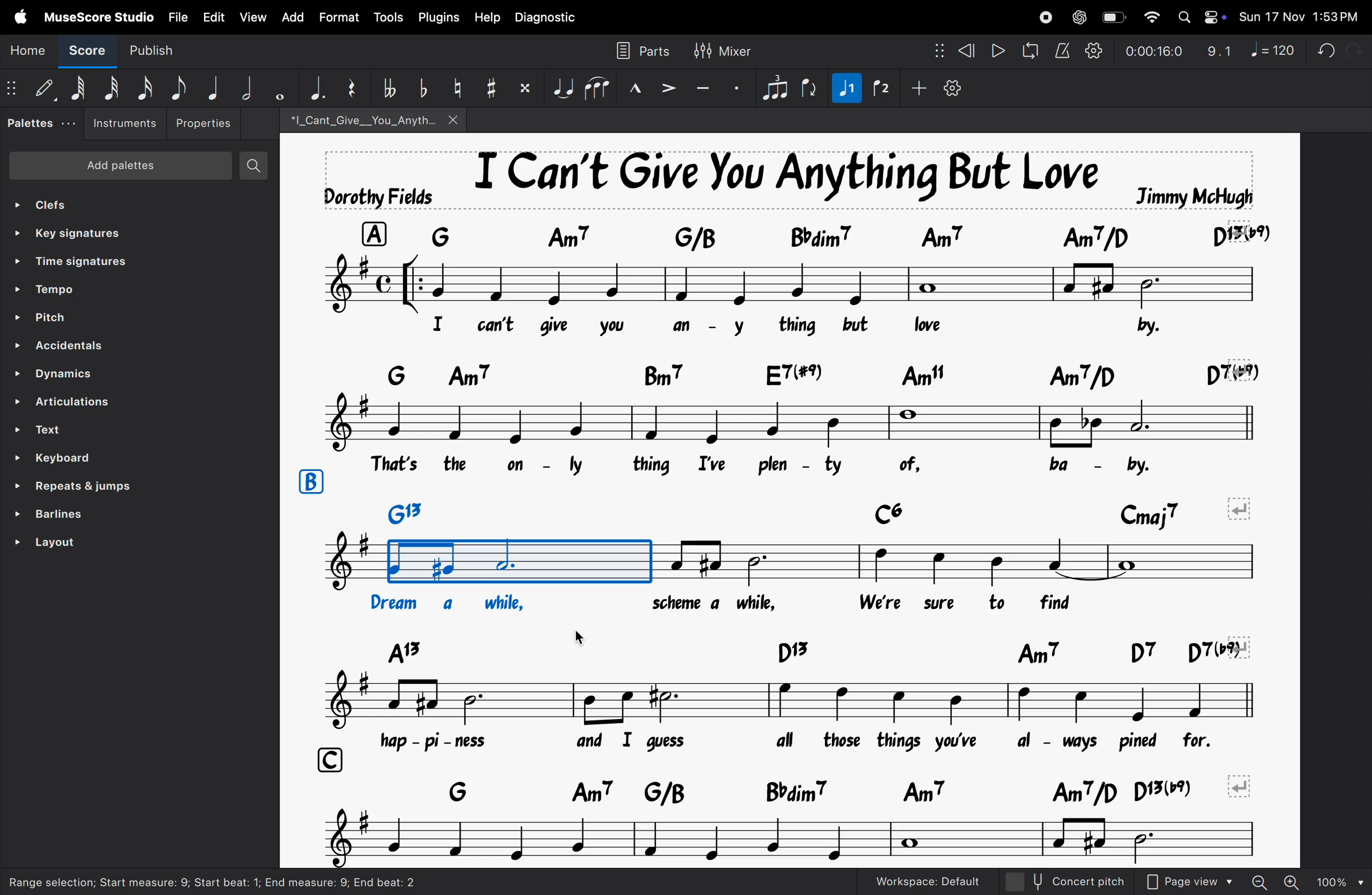 This screenshot has height=895, width=1372. Describe the element at coordinates (22, 16) in the screenshot. I see `Apple menu` at that location.